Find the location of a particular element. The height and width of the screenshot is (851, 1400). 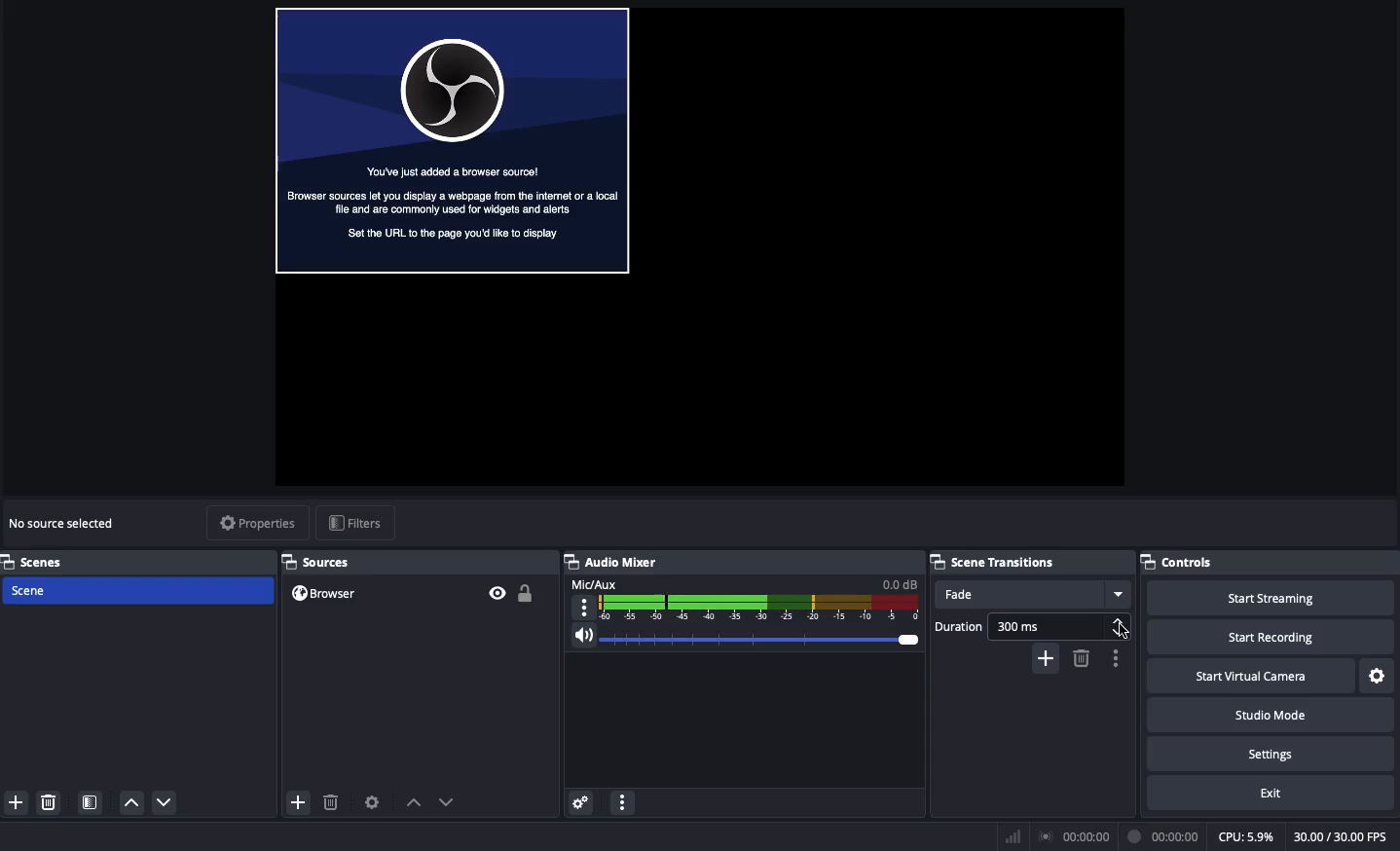

Fade is located at coordinates (1027, 595).